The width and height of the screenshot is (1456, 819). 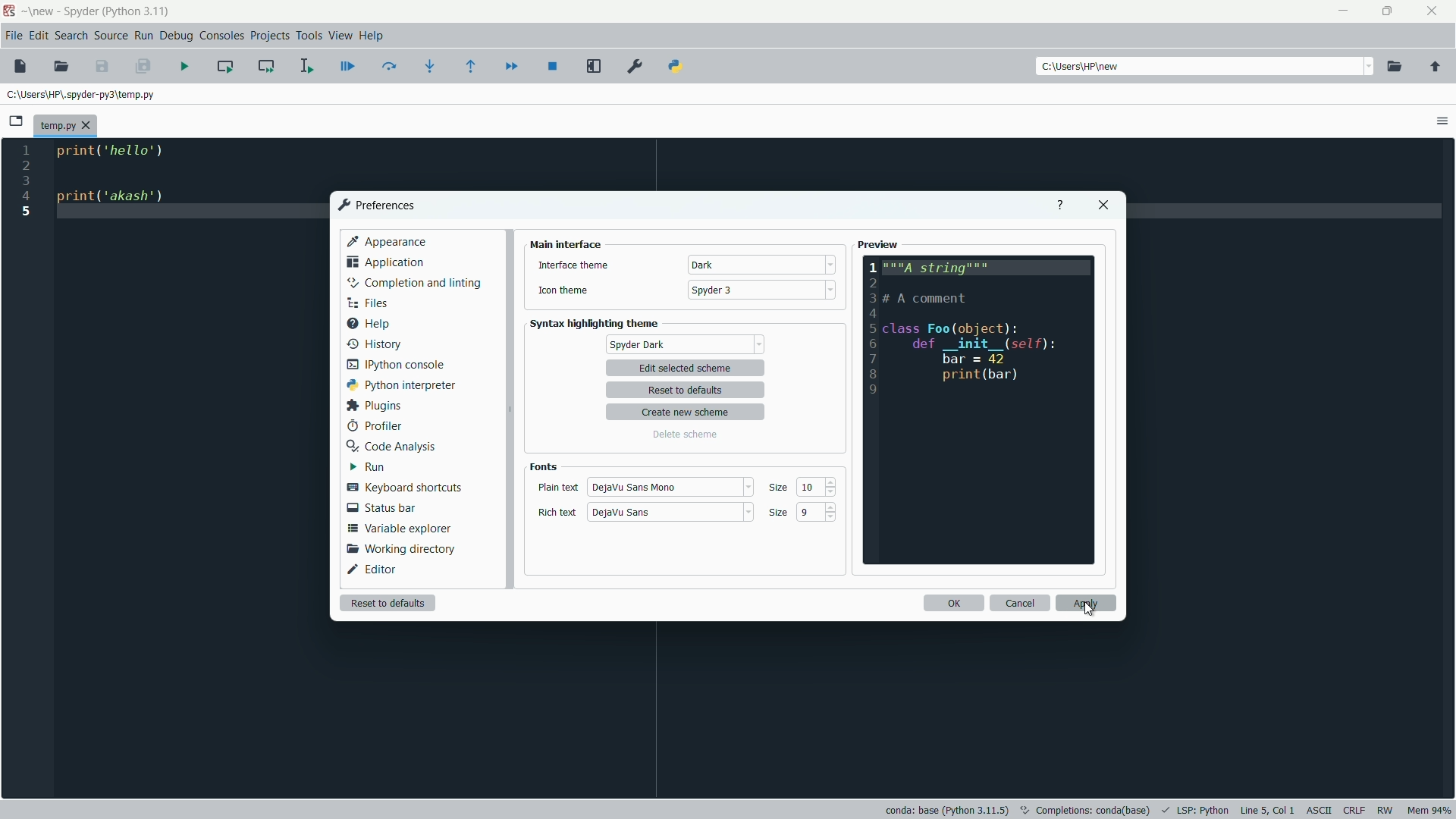 I want to click on python path manager, so click(x=676, y=67).